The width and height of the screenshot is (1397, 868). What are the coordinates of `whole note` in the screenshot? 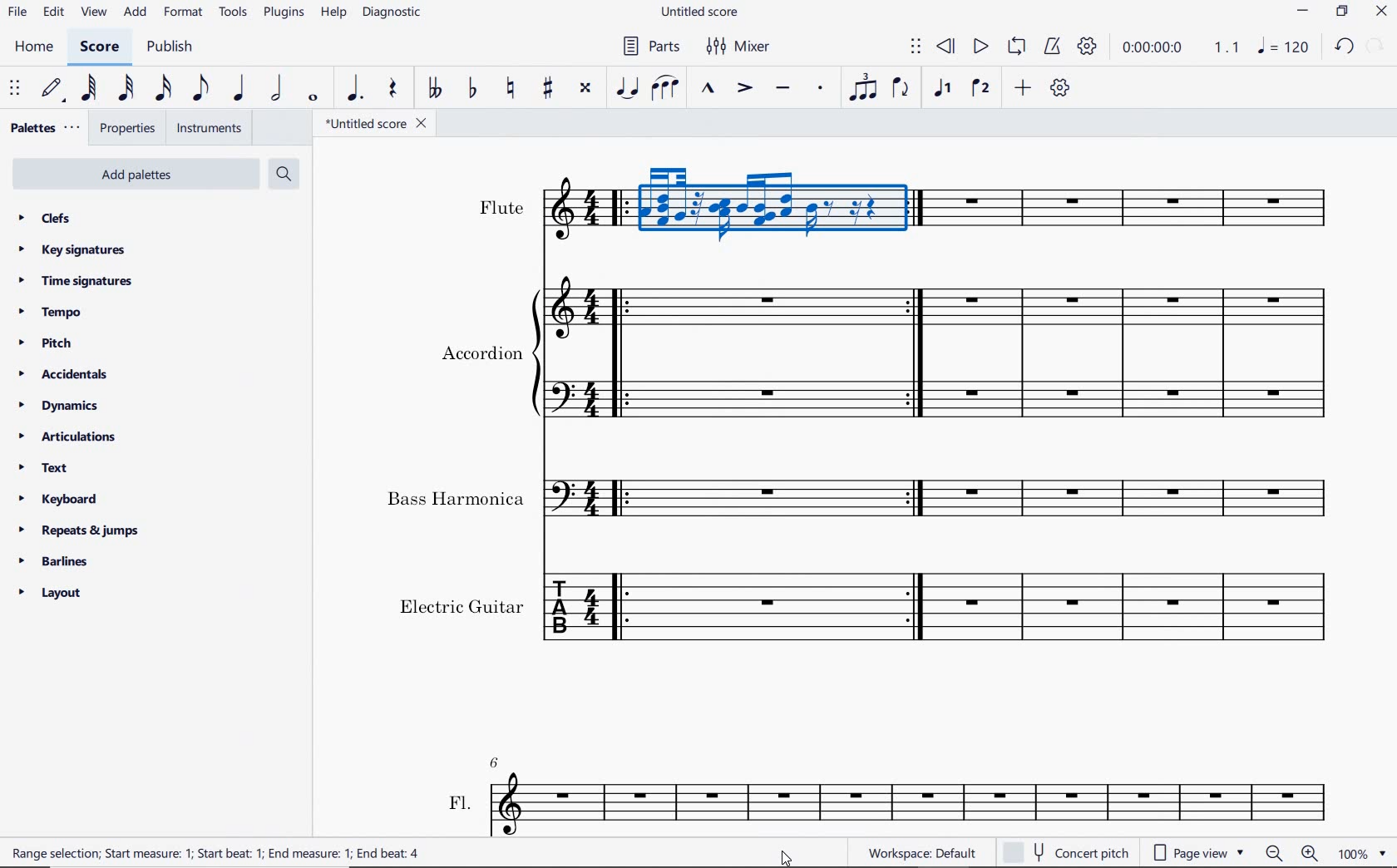 It's located at (313, 98).